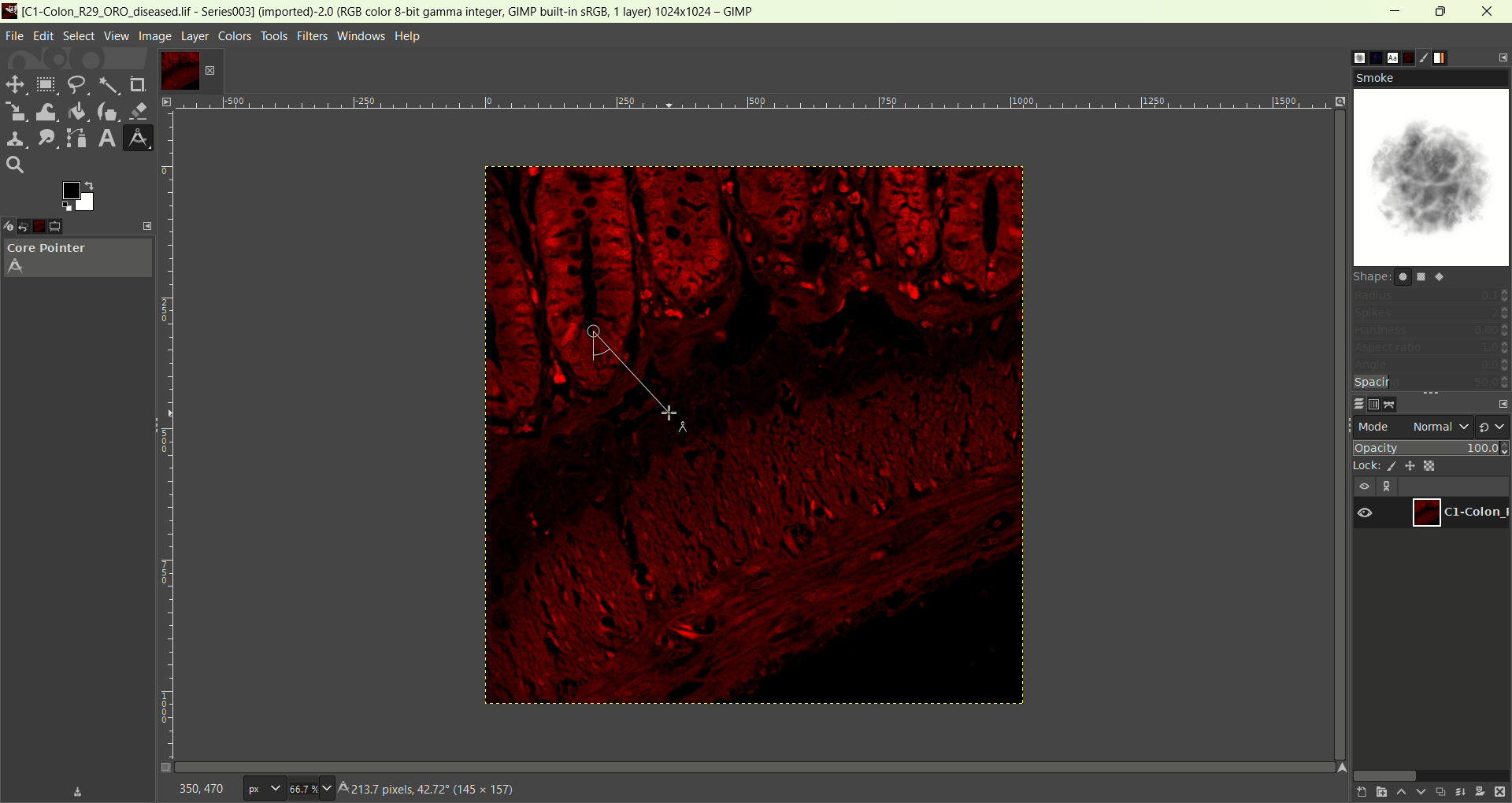 Image resolution: width=1512 pixels, height=803 pixels. I want to click on close, so click(1489, 11).